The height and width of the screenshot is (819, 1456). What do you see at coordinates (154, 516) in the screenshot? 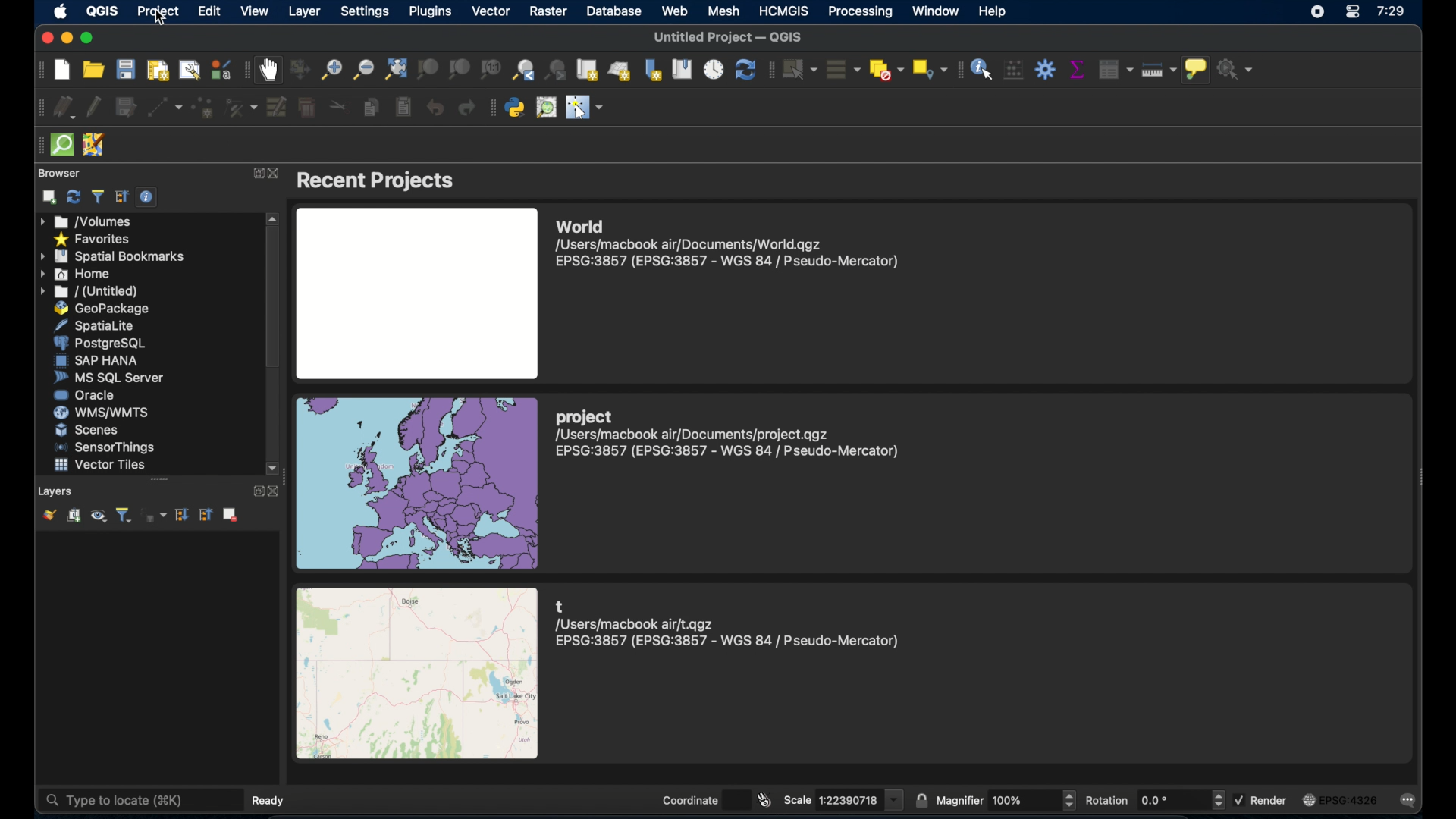
I see `filter legend by expression` at bounding box center [154, 516].